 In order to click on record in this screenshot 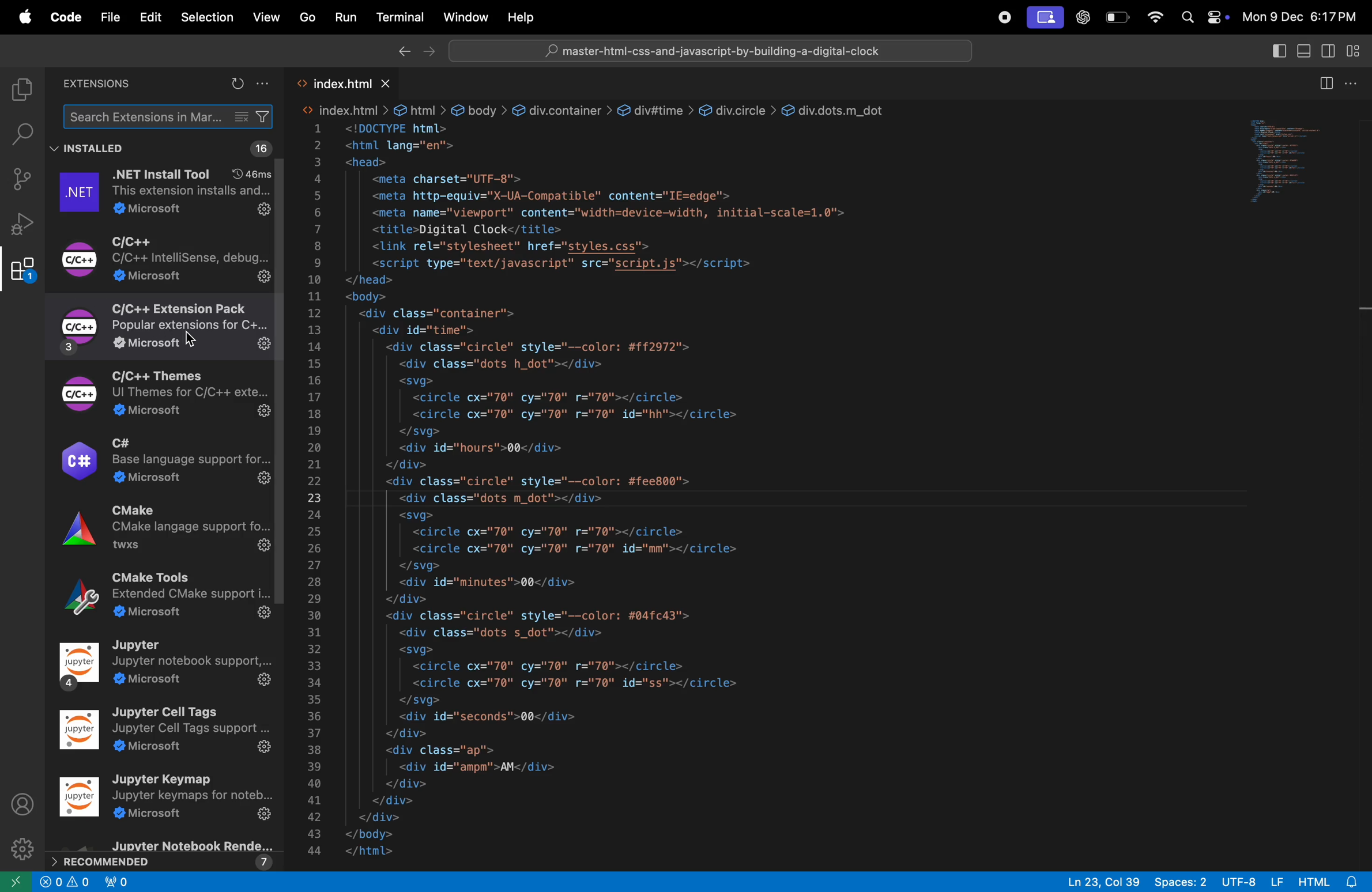, I will do `click(998, 17)`.